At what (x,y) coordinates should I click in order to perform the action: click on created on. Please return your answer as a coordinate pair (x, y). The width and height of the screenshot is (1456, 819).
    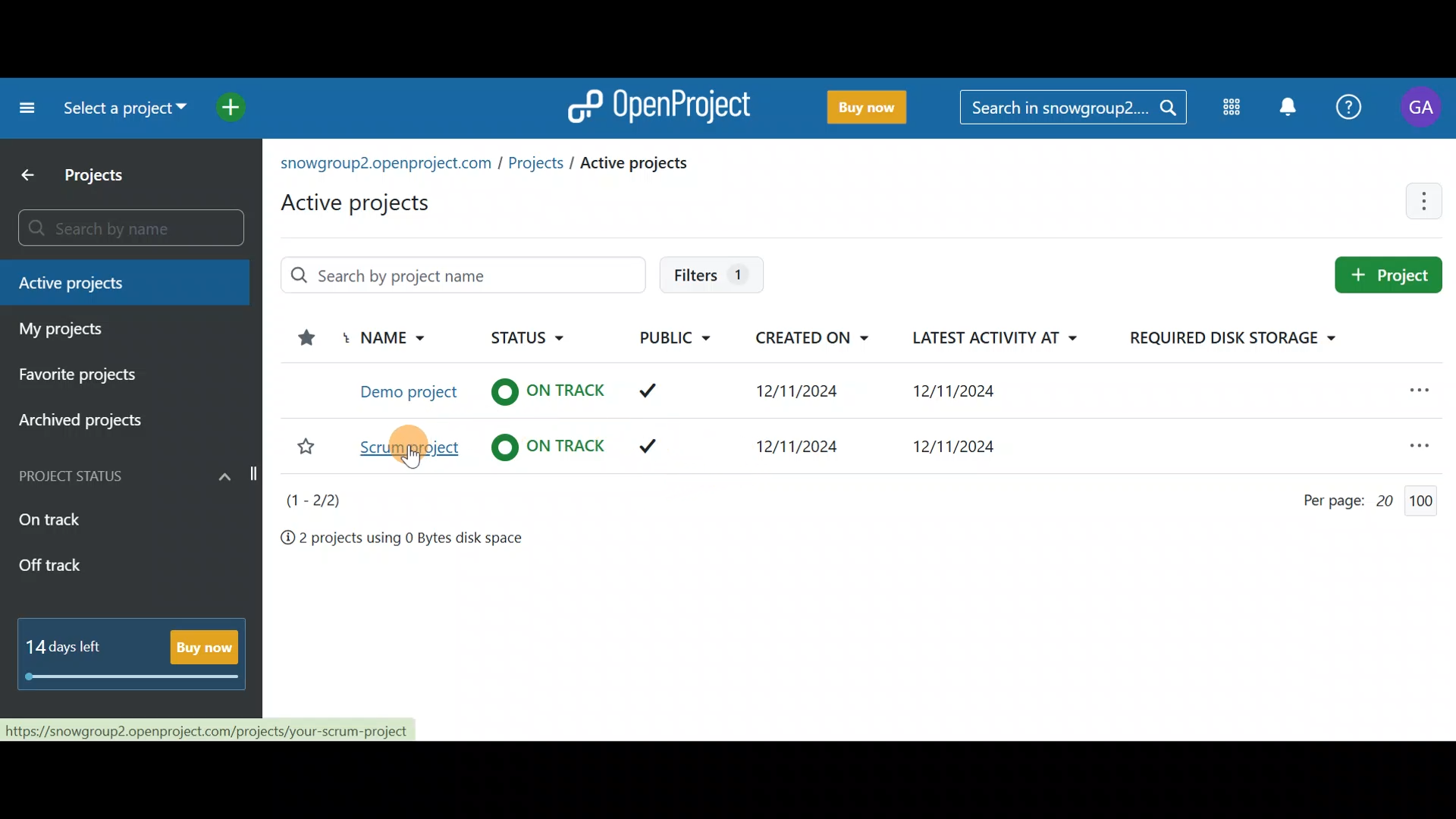
    Looking at the image, I should click on (801, 448).